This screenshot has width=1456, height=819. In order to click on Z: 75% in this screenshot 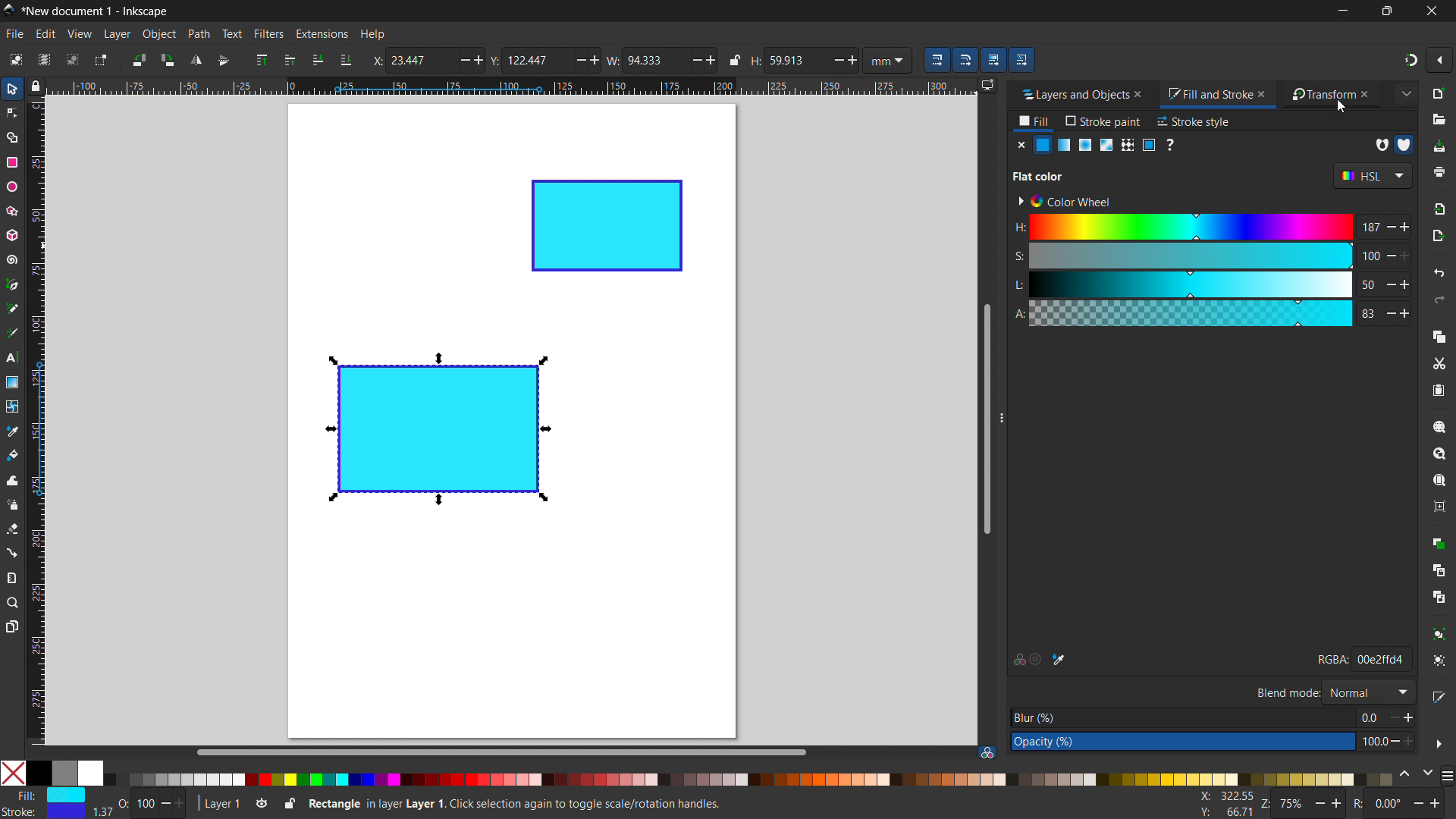, I will do `click(1304, 805)`.